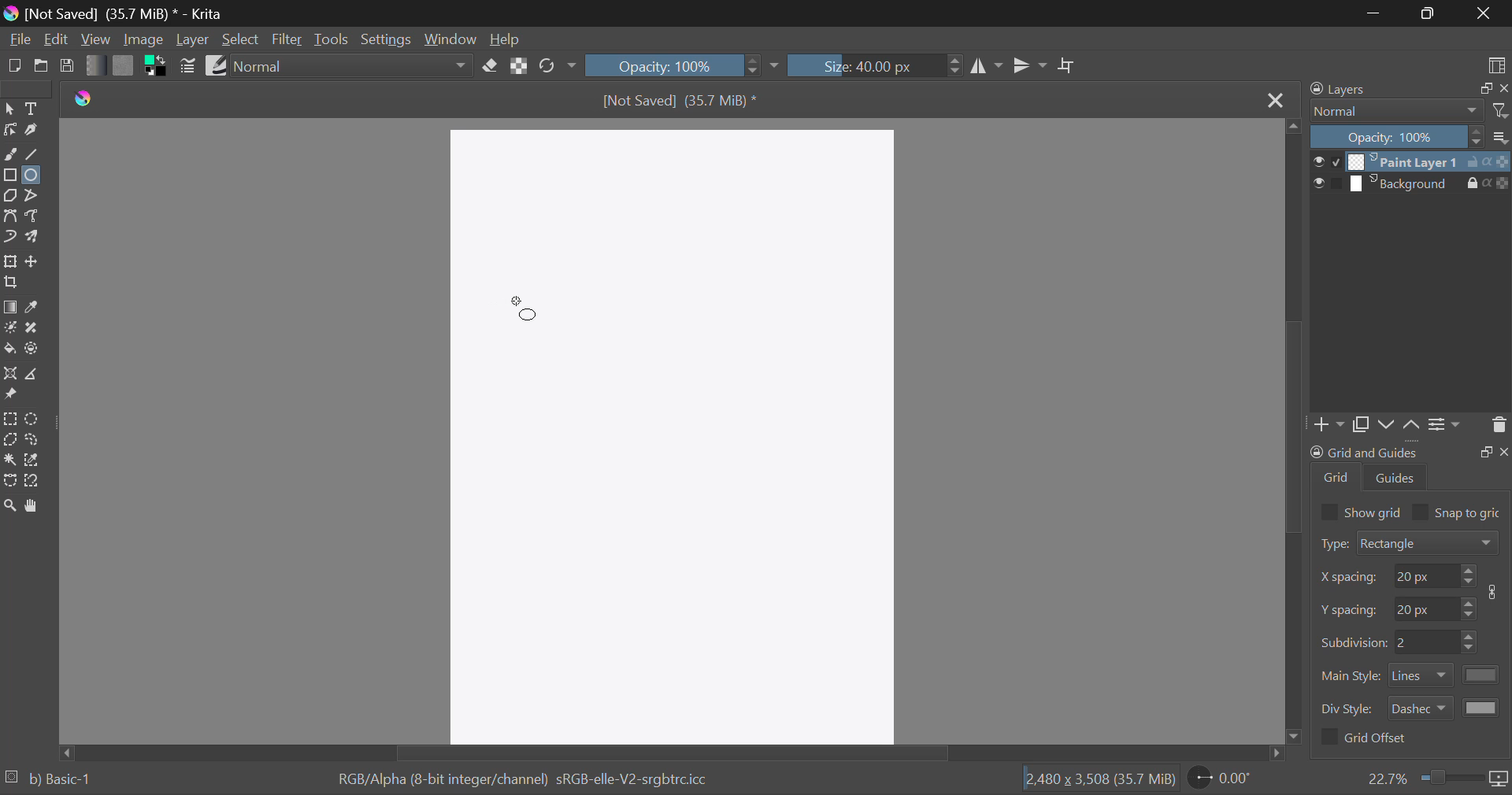 The height and width of the screenshot is (795, 1512). Describe the element at coordinates (9, 349) in the screenshot. I see `Fill` at that location.